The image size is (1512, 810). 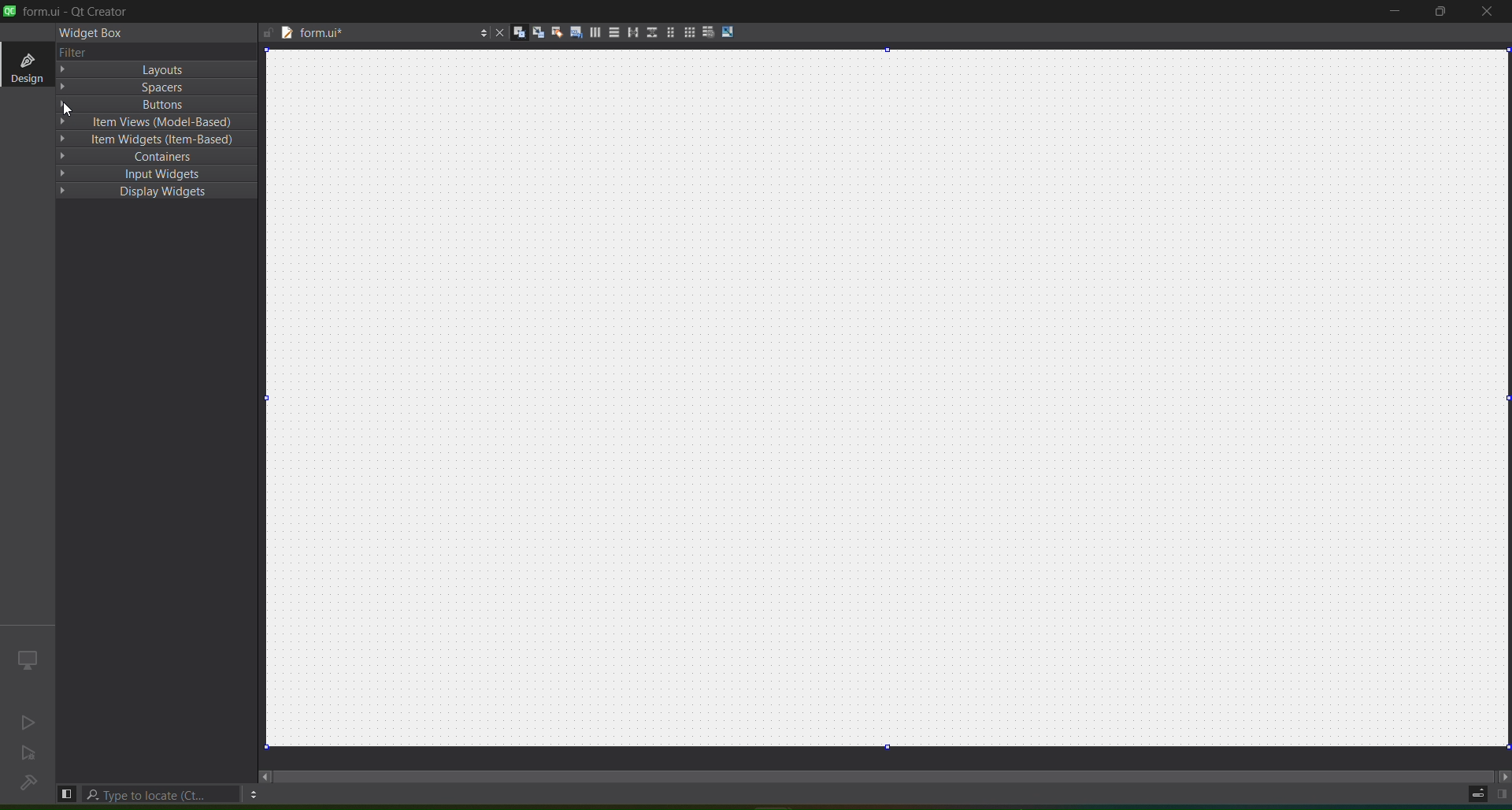 I want to click on containers, so click(x=155, y=157).